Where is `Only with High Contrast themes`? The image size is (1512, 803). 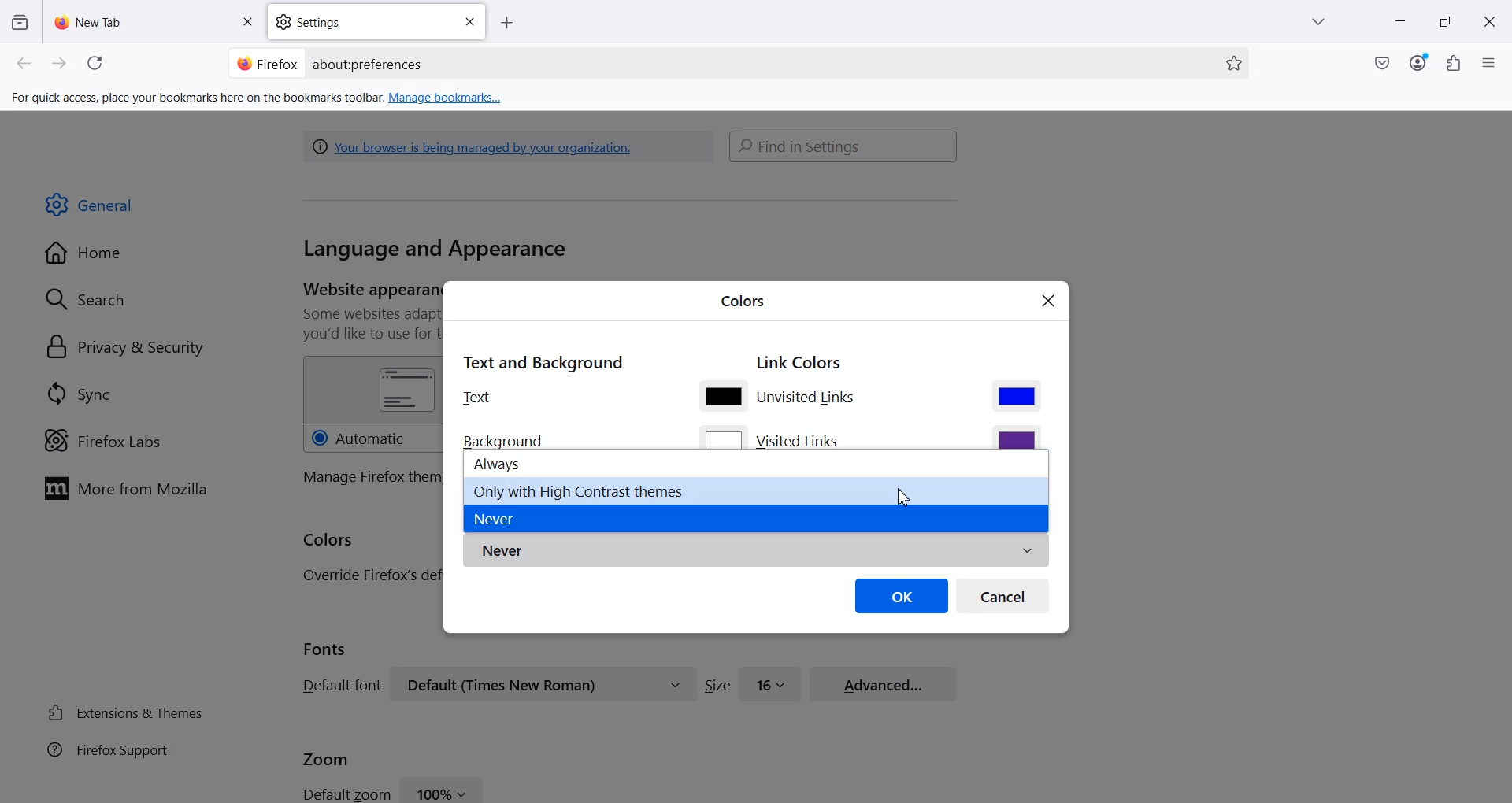
Only with High Contrast themes is located at coordinates (756, 490).